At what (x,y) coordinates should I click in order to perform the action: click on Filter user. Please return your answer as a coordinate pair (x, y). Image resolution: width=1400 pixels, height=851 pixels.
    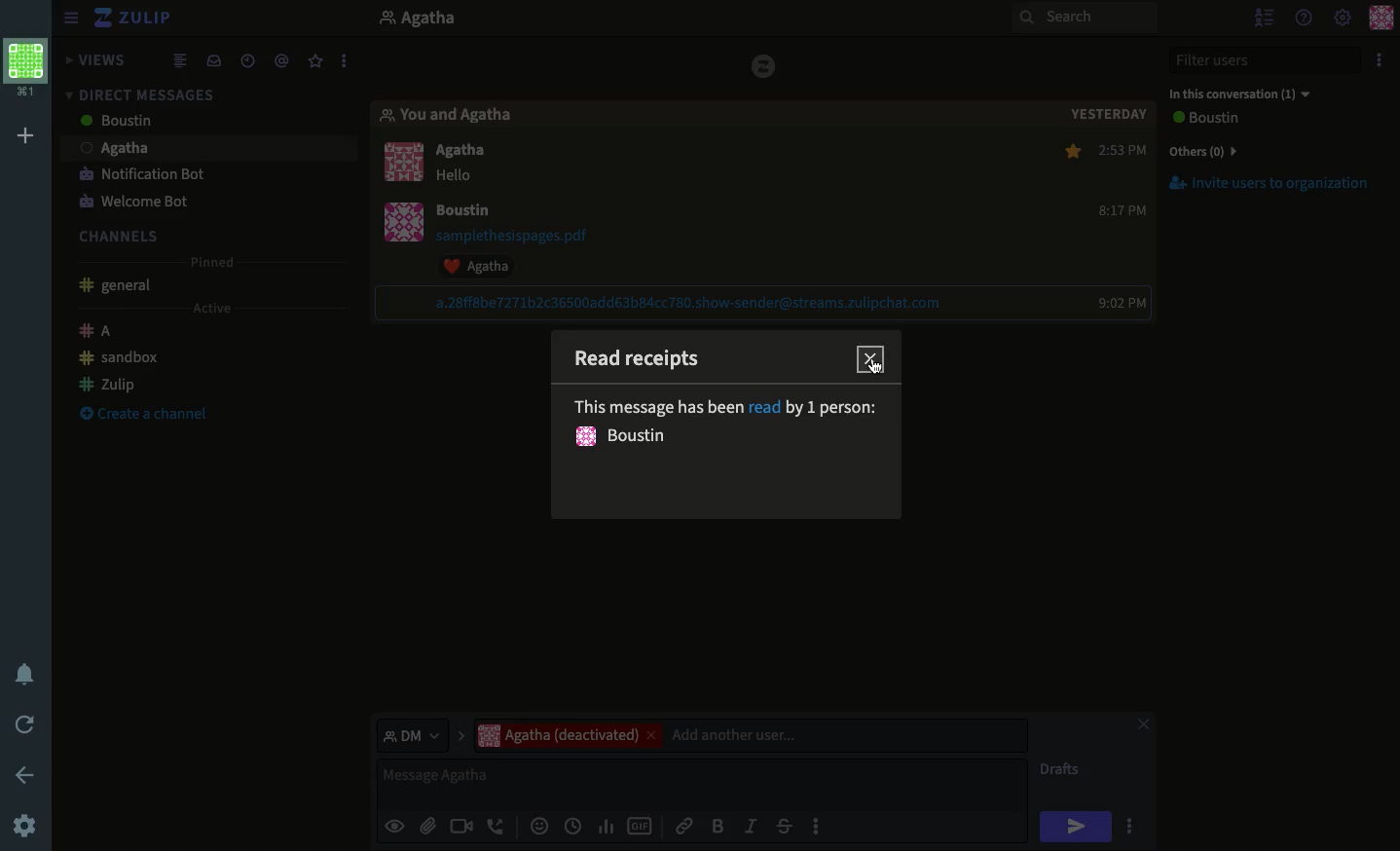
    Looking at the image, I should click on (1269, 60).